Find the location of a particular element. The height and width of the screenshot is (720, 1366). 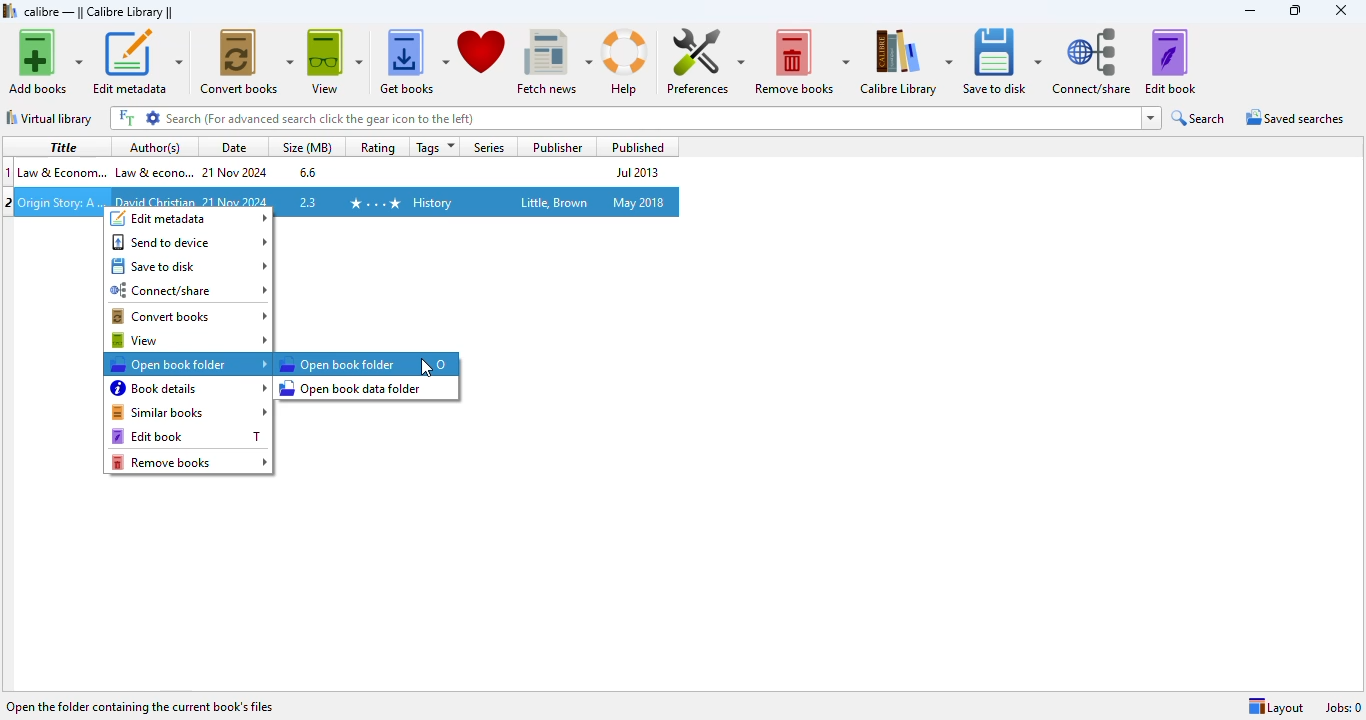

save to disk is located at coordinates (1001, 62).